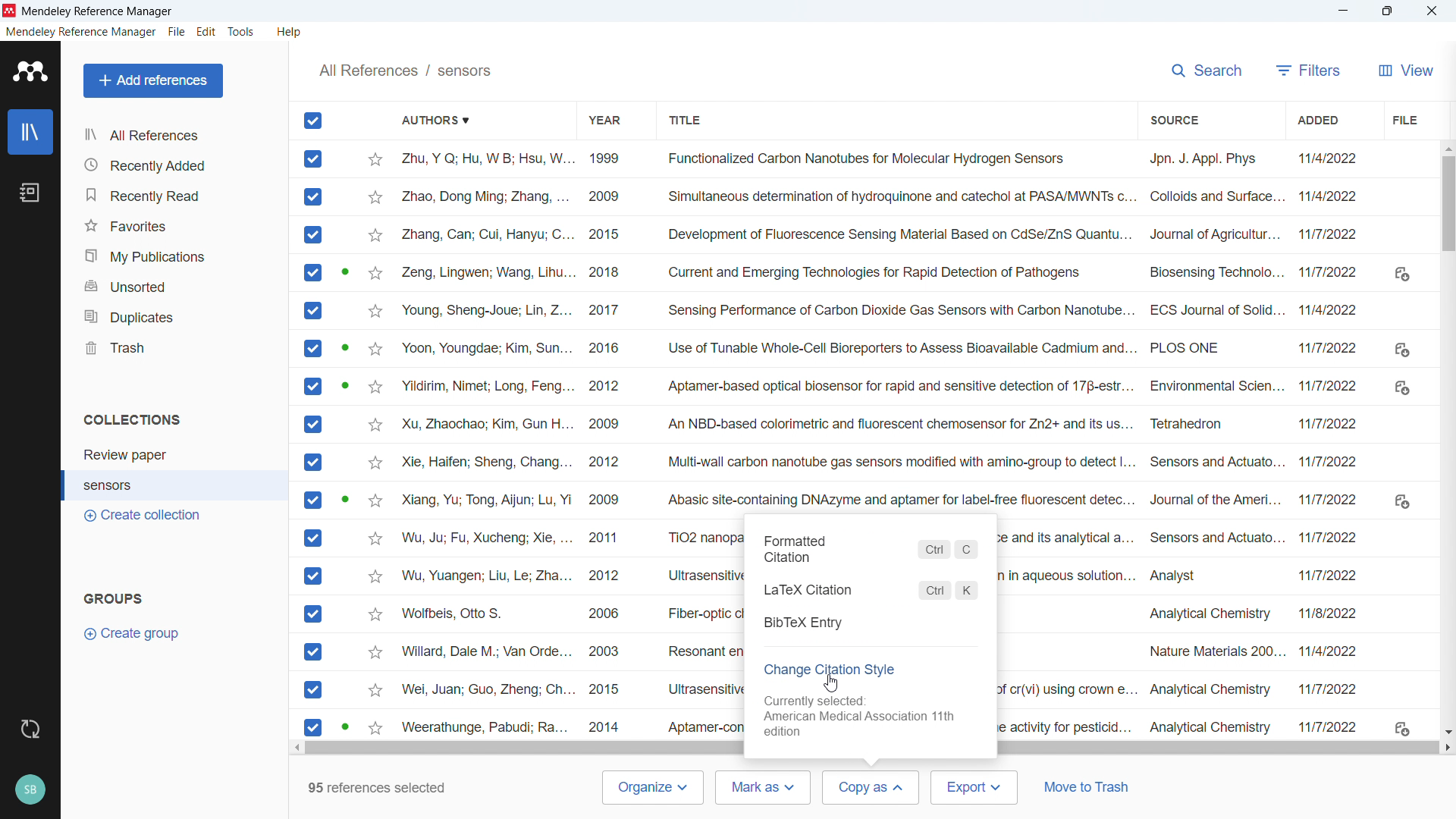  I want to click on PDF available, so click(345, 500).